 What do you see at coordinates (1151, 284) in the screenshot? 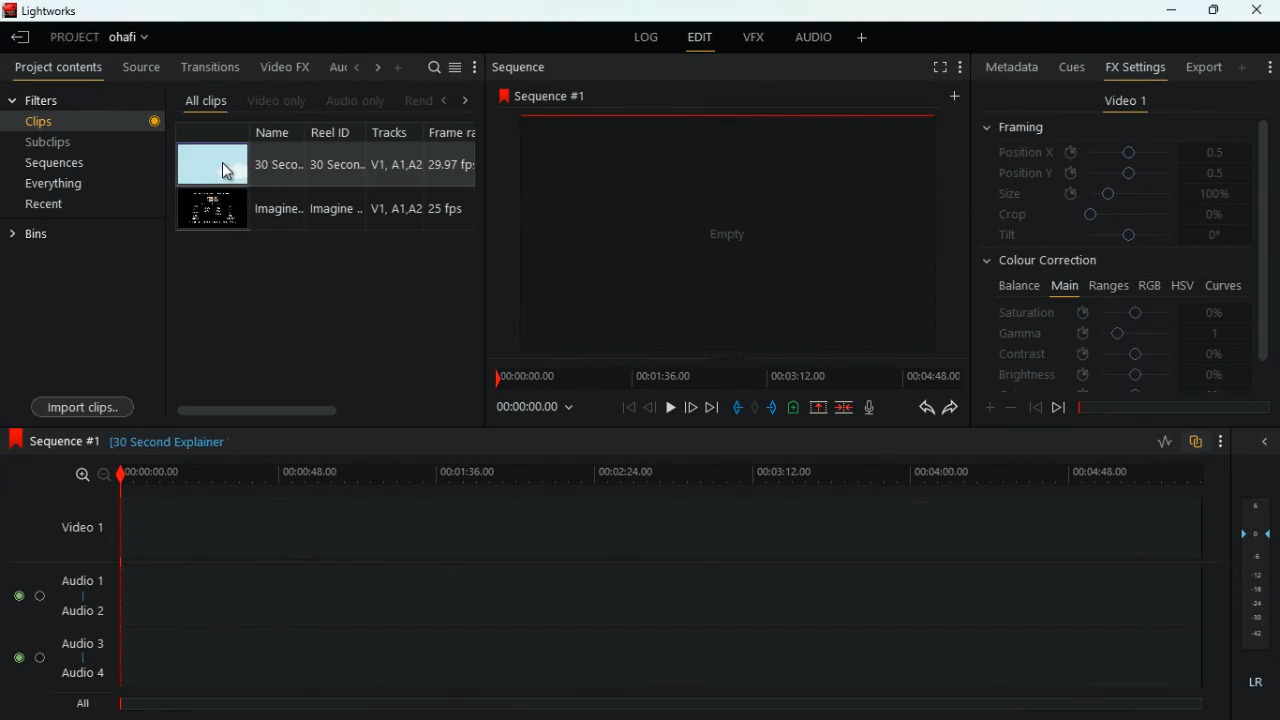
I see `rgb` at bounding box center [1151, 284].